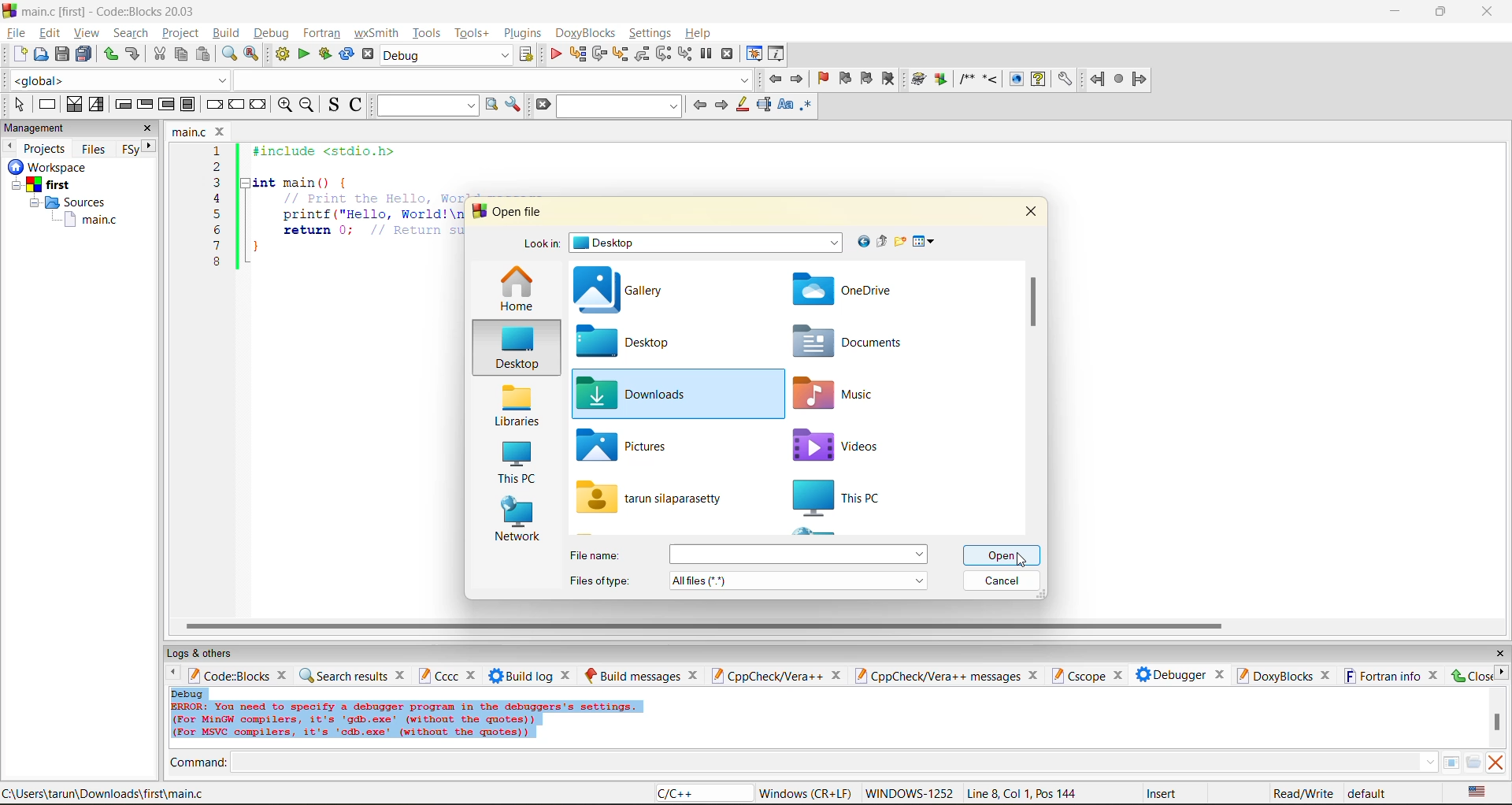 This screenshot has width=1512, height=805. I want to click on selected text, so click(764, 105).